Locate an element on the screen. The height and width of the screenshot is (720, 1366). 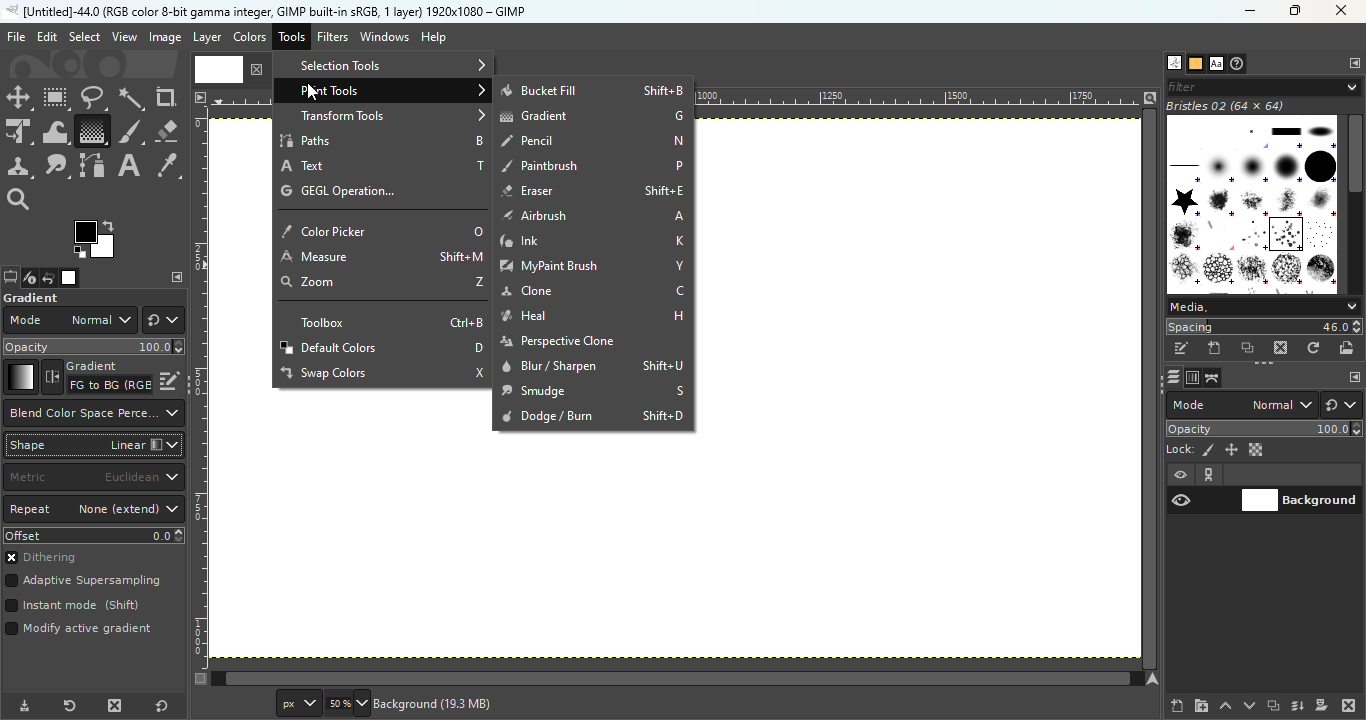
Adaptive supersampling is located at coordinates (84, 583).